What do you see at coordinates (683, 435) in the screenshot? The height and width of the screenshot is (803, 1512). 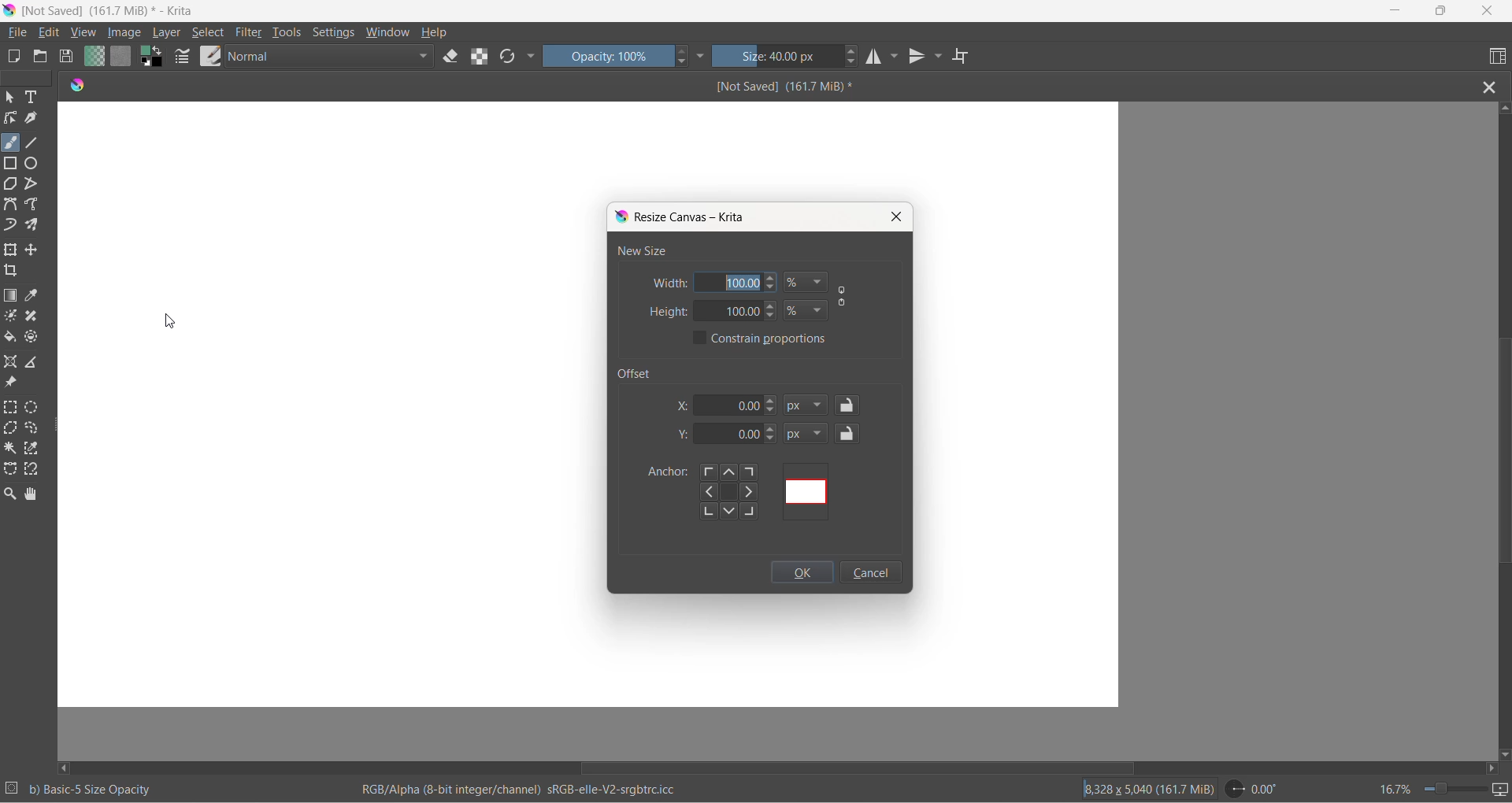 I see `` at bounding box center [683, 435].